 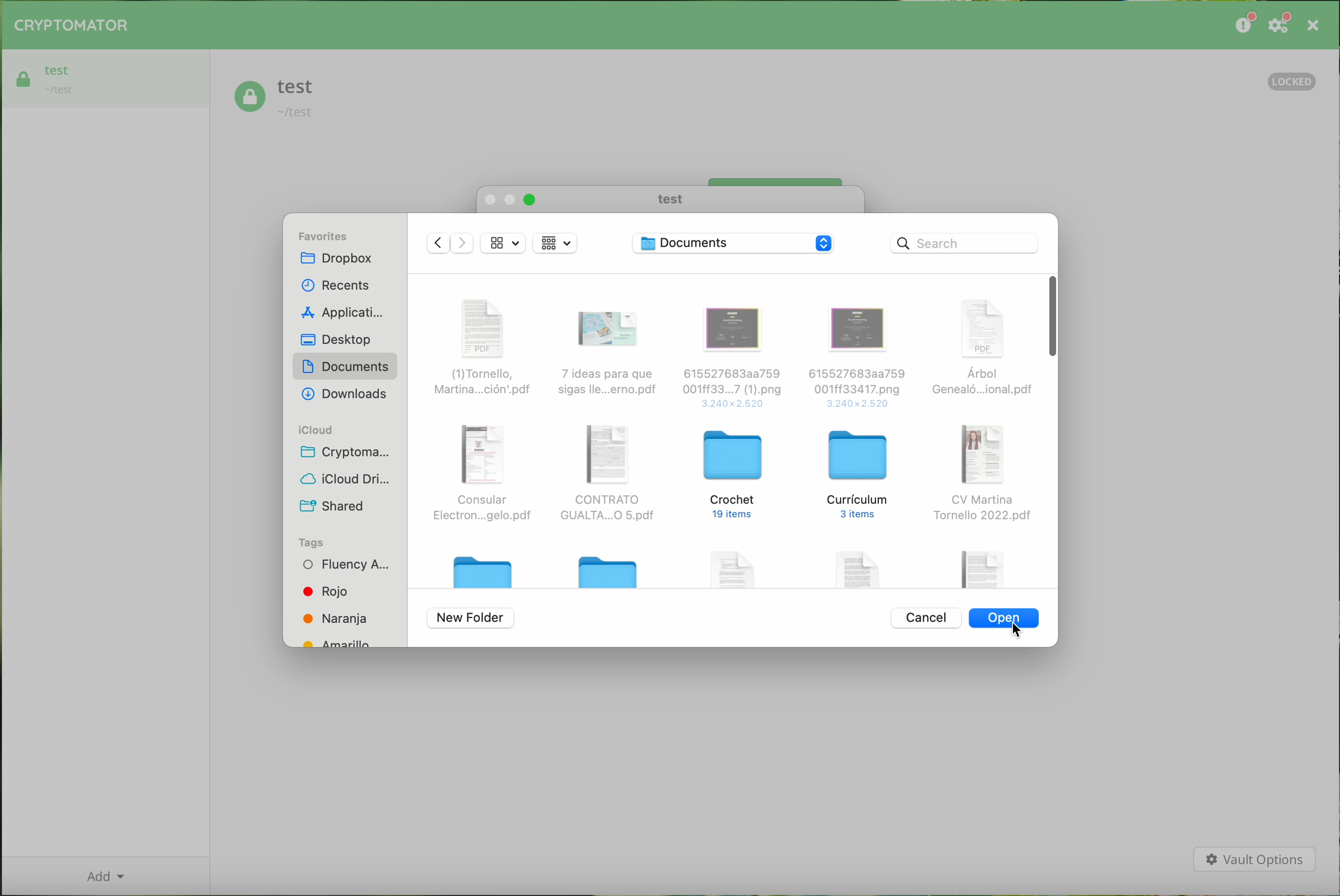 What do you see at coordinates (343, 566) in the screenshot?
I see `fluency` at bounding box center [343, 566].